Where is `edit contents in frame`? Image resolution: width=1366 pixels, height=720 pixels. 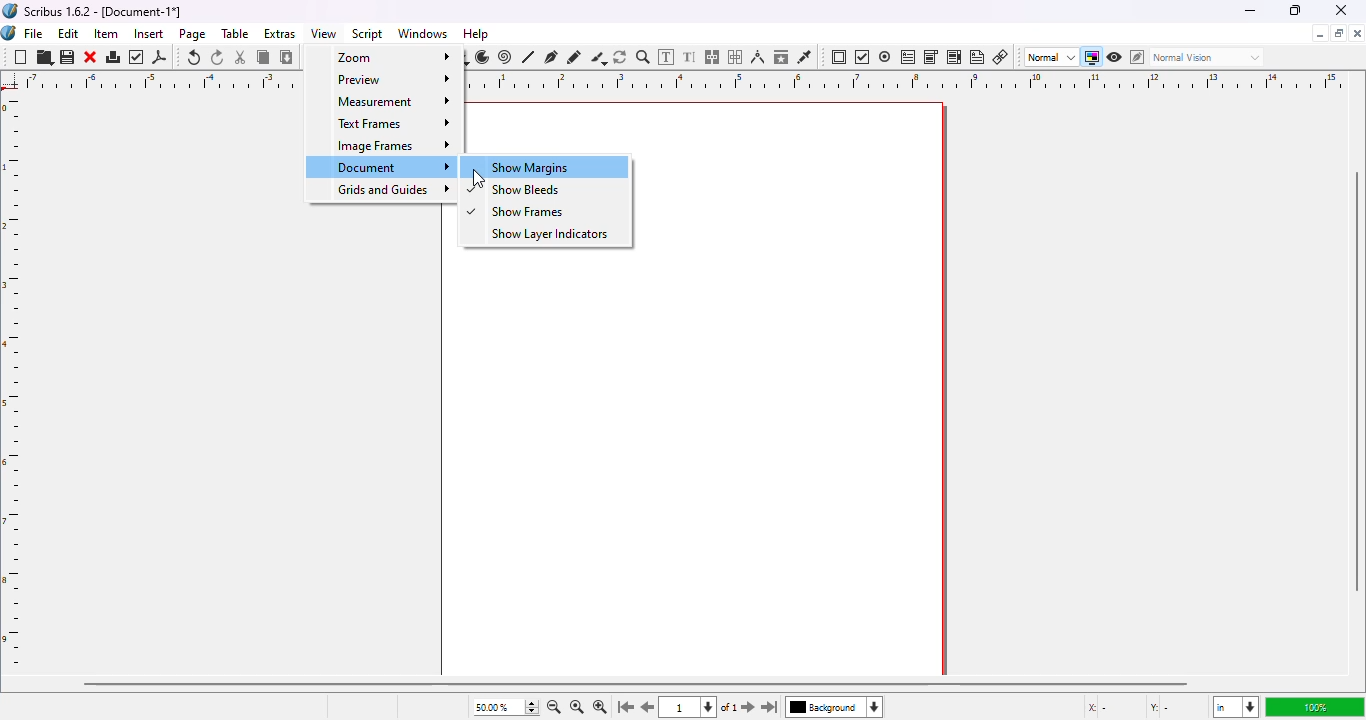 edit contents in frame is located at coordinates (667, 56).